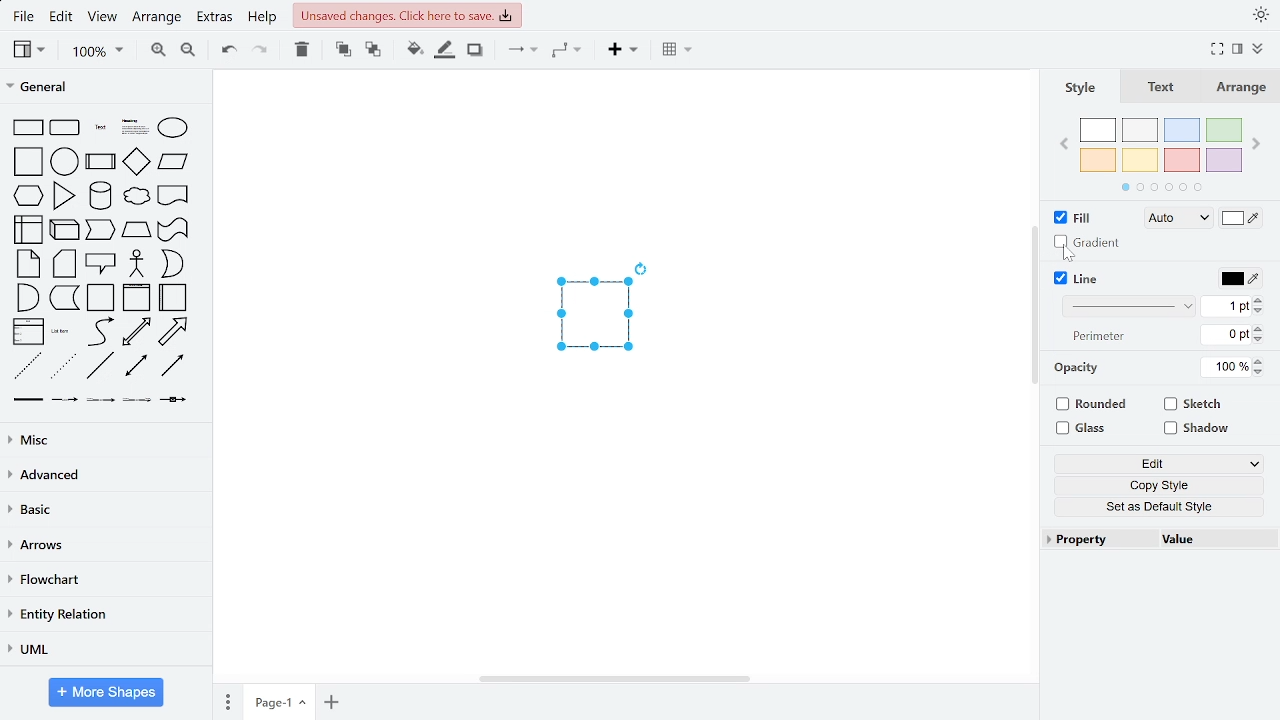 Image resolution: width=1280 pixels, height=720 pixels. Describe the element at coordinates (1162, 464) in the screenshot. I see `edit` at that location.